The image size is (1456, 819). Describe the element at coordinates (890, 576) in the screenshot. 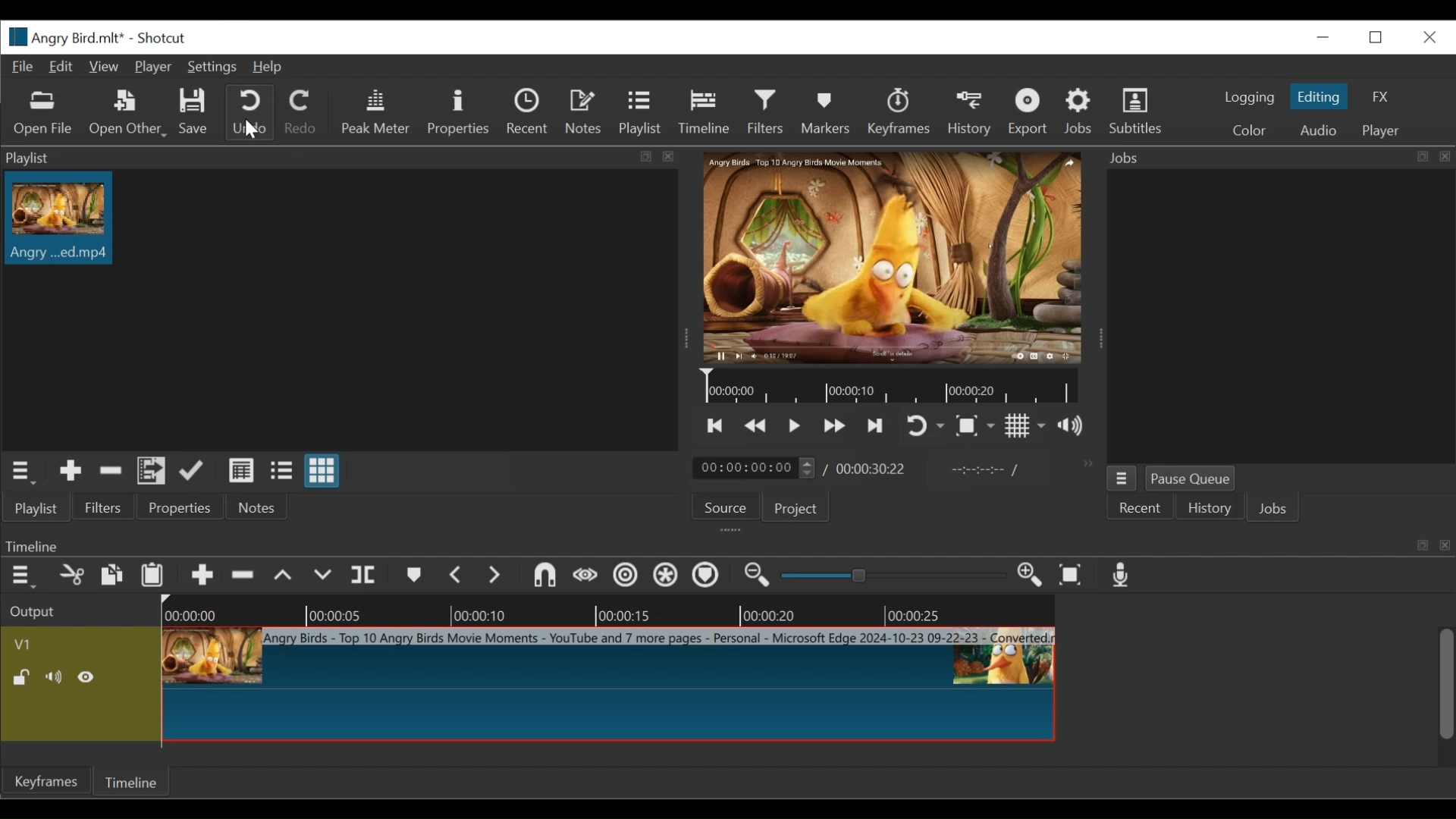

I see `Zoom slider` at that location.